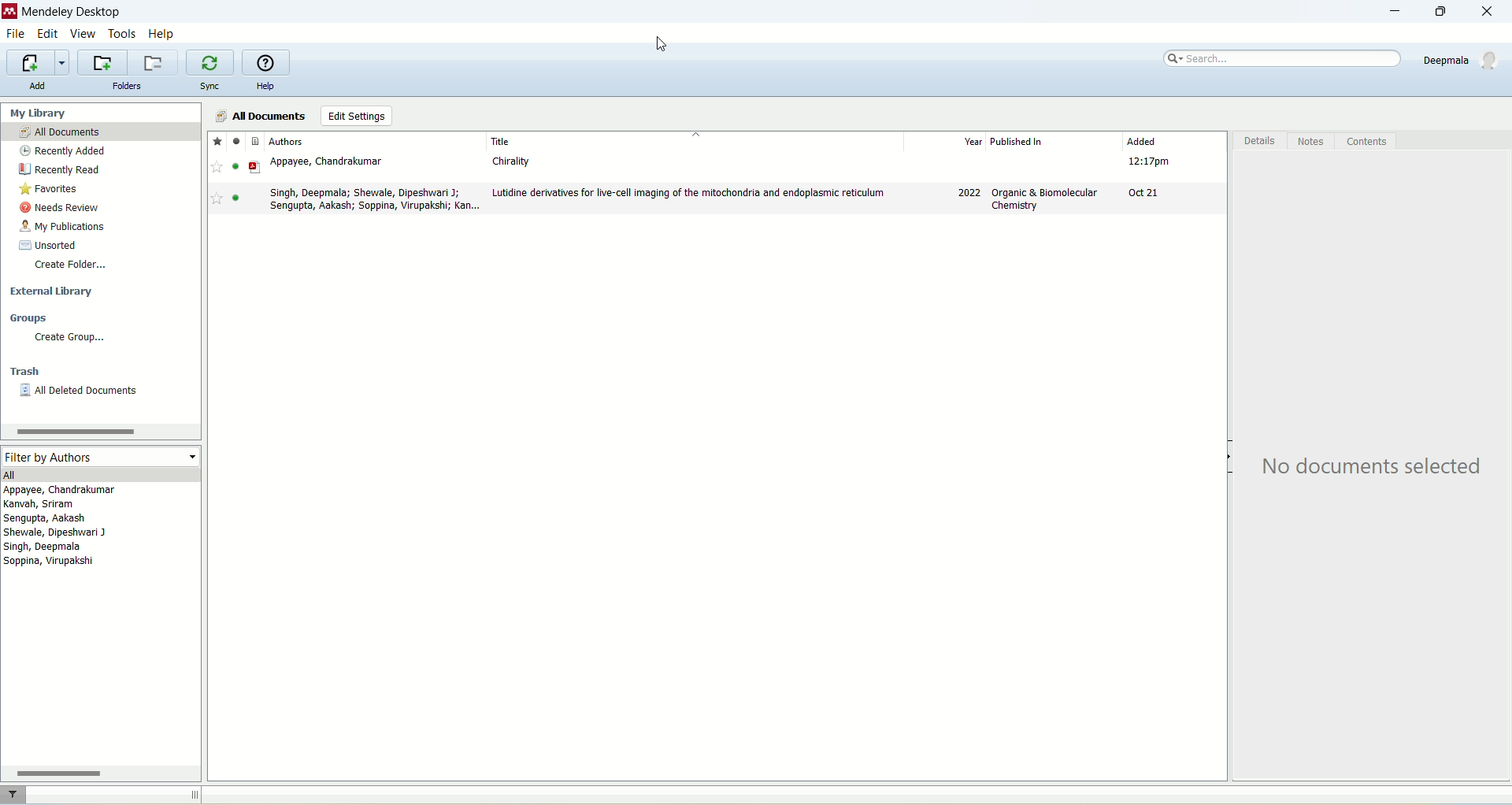 The height and width of the screenshot is (805, 1512). I want to click on import, so click(39, 64).